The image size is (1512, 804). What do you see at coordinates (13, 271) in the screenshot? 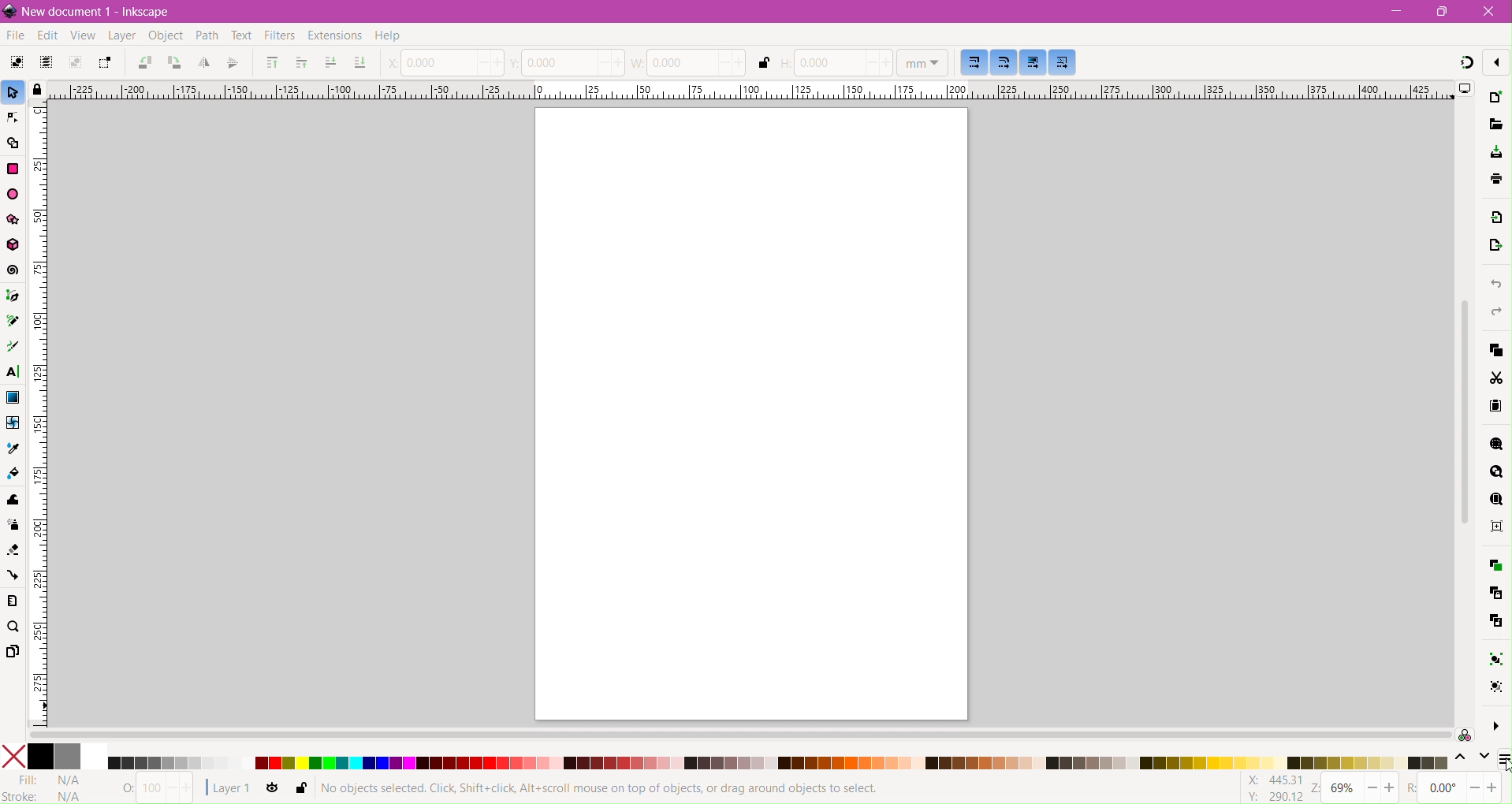
I see `Spiral Tool` at bounding box center [13, 271].